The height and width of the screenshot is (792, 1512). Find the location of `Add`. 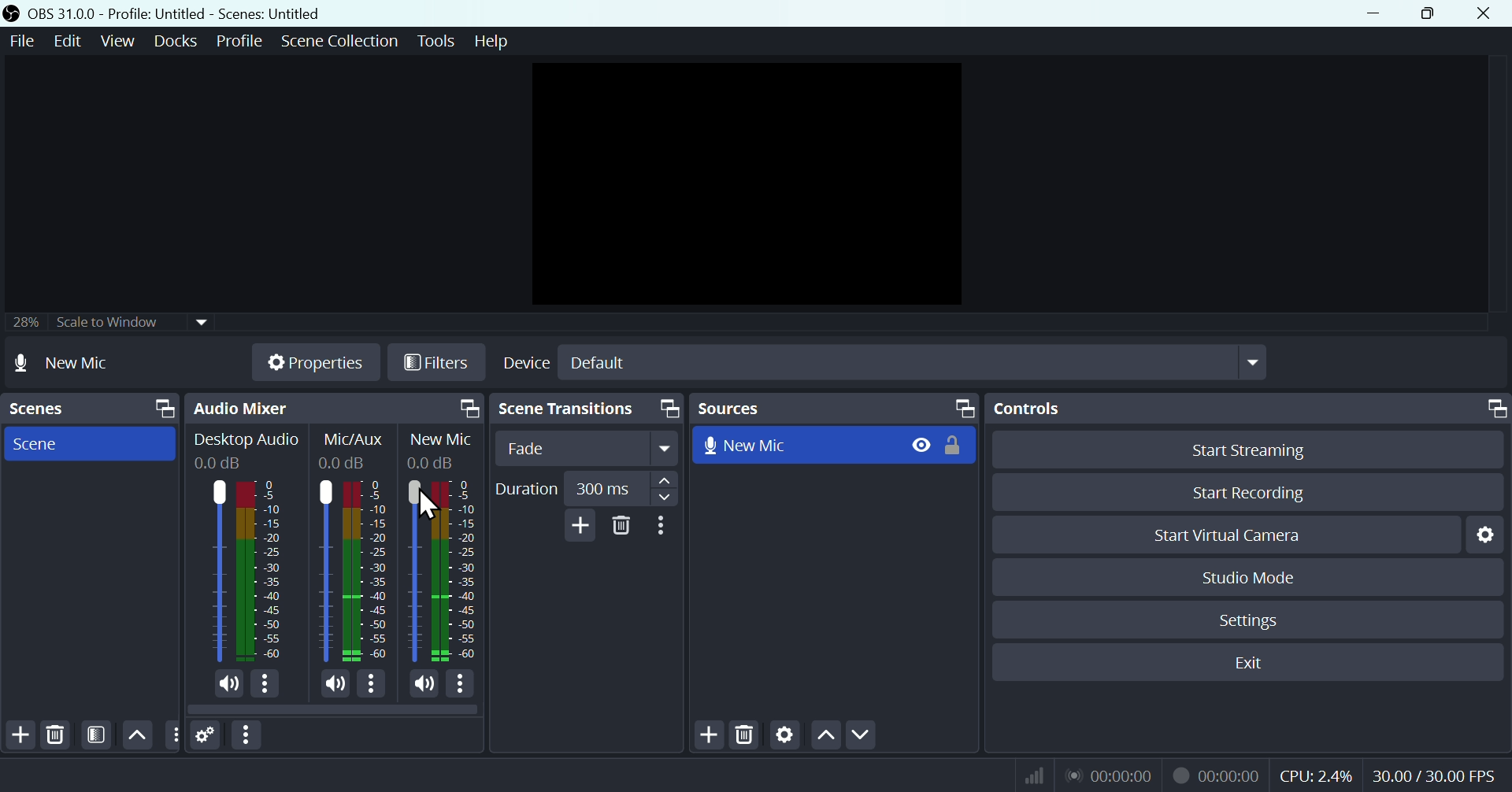

Add is located at coordinates (19, 735).